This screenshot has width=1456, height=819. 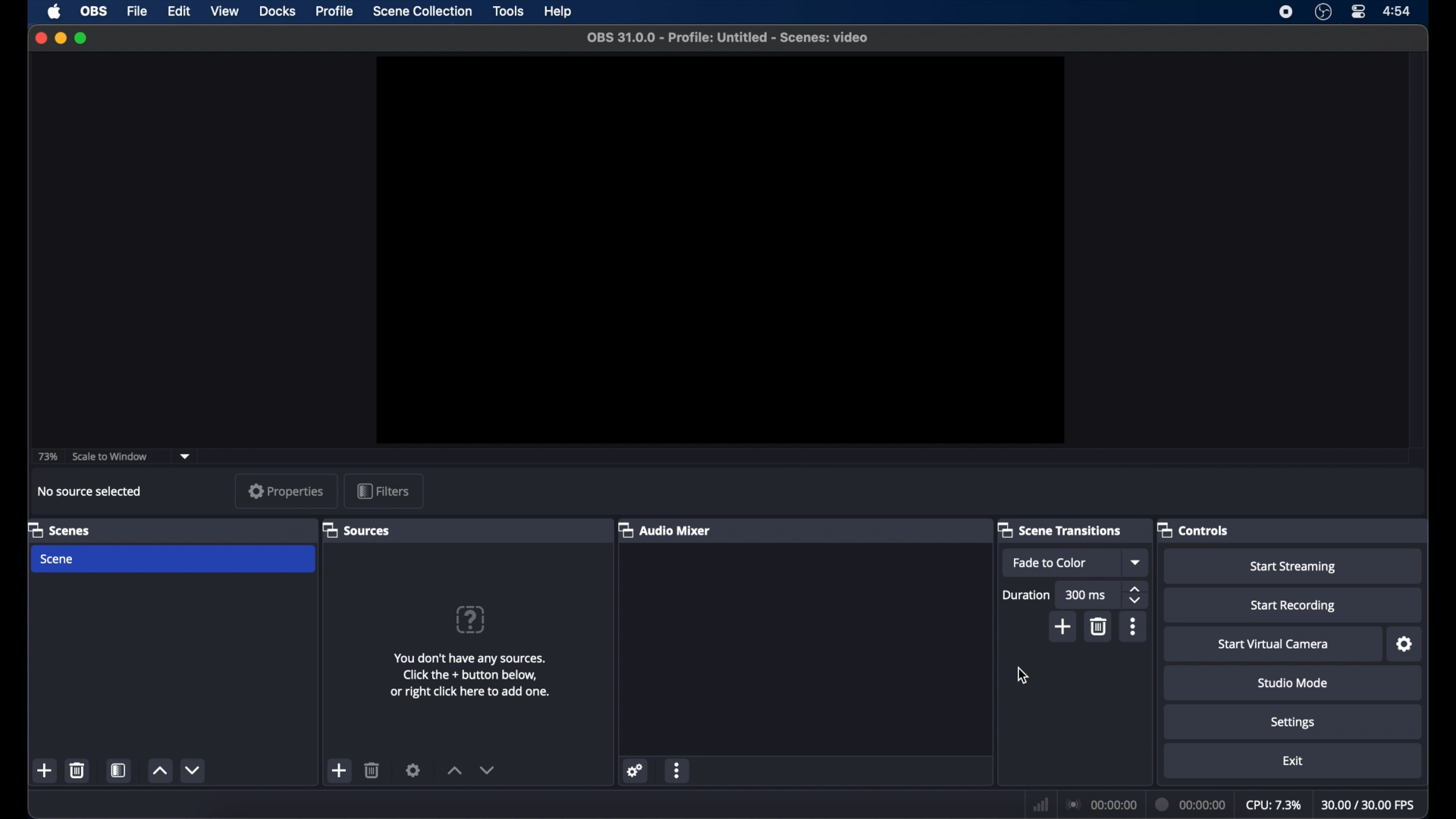 What do you see at coordinates (678, 770) in the screenshot?
I see `more options` at bounding box center [678, 770].